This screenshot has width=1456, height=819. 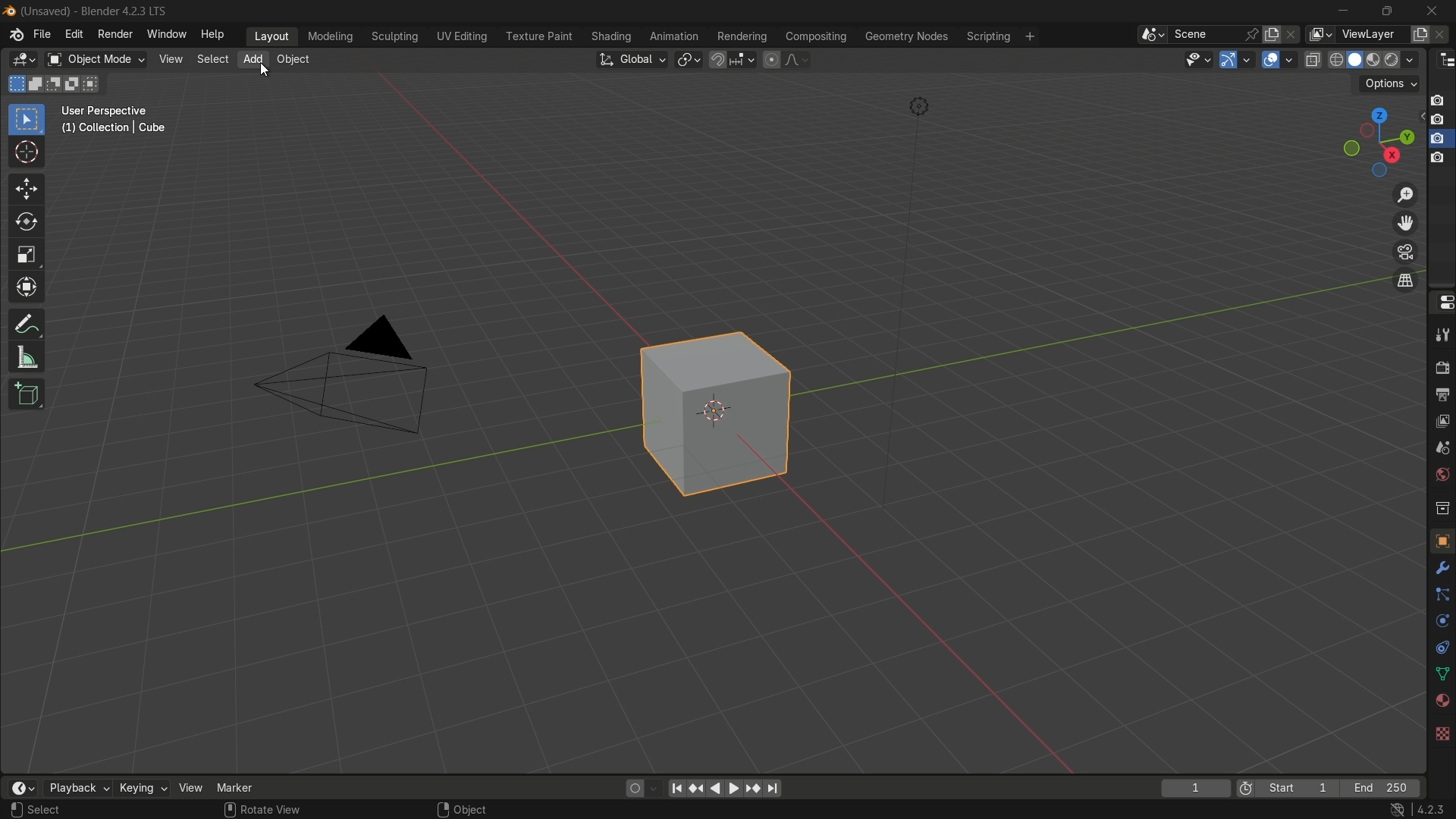 What do you see at coordinates (1442, 302) in the screenshot?
I see `properties` at bounding box center [1442, 302].